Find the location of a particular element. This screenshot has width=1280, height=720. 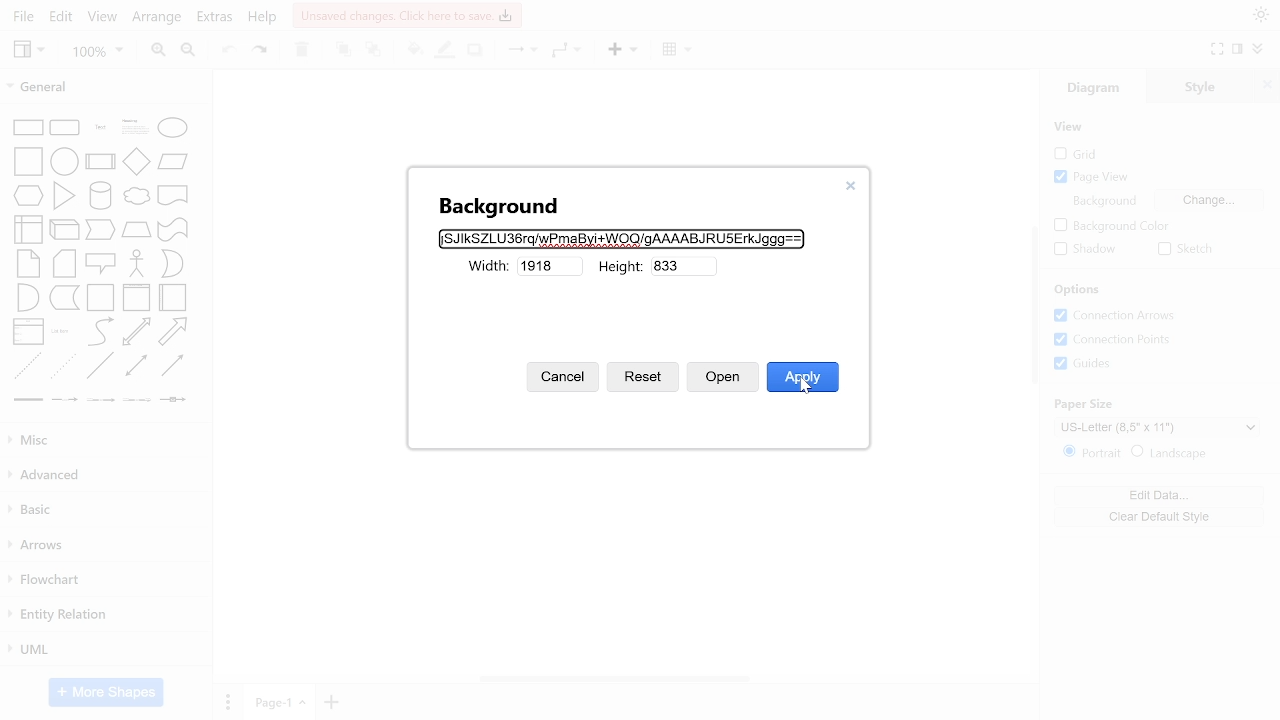

unsaved changes. Click here to save is located at coordinates (407, 15).